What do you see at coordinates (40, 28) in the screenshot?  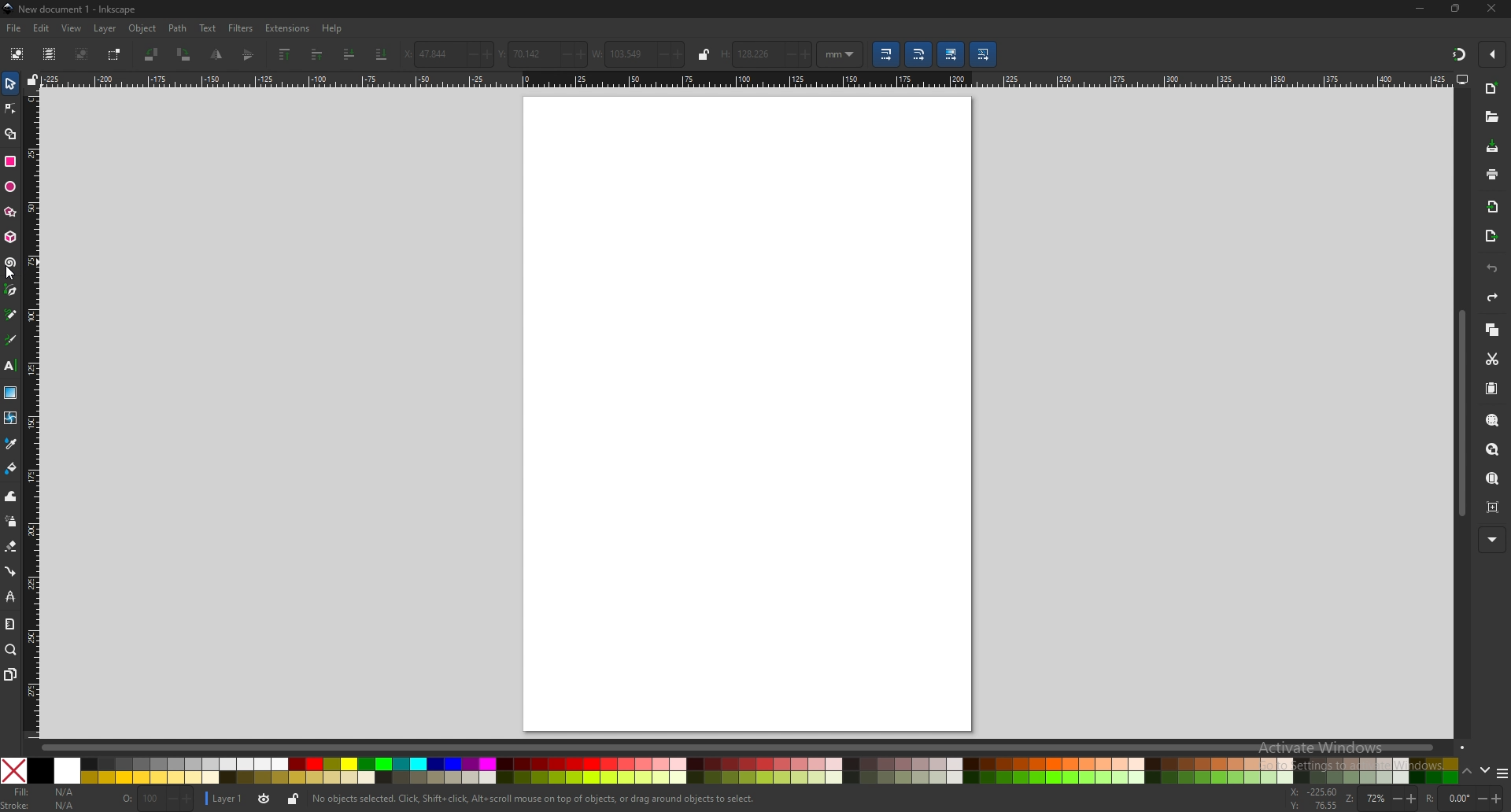 I see `edit` at bounding box center [40, 28].